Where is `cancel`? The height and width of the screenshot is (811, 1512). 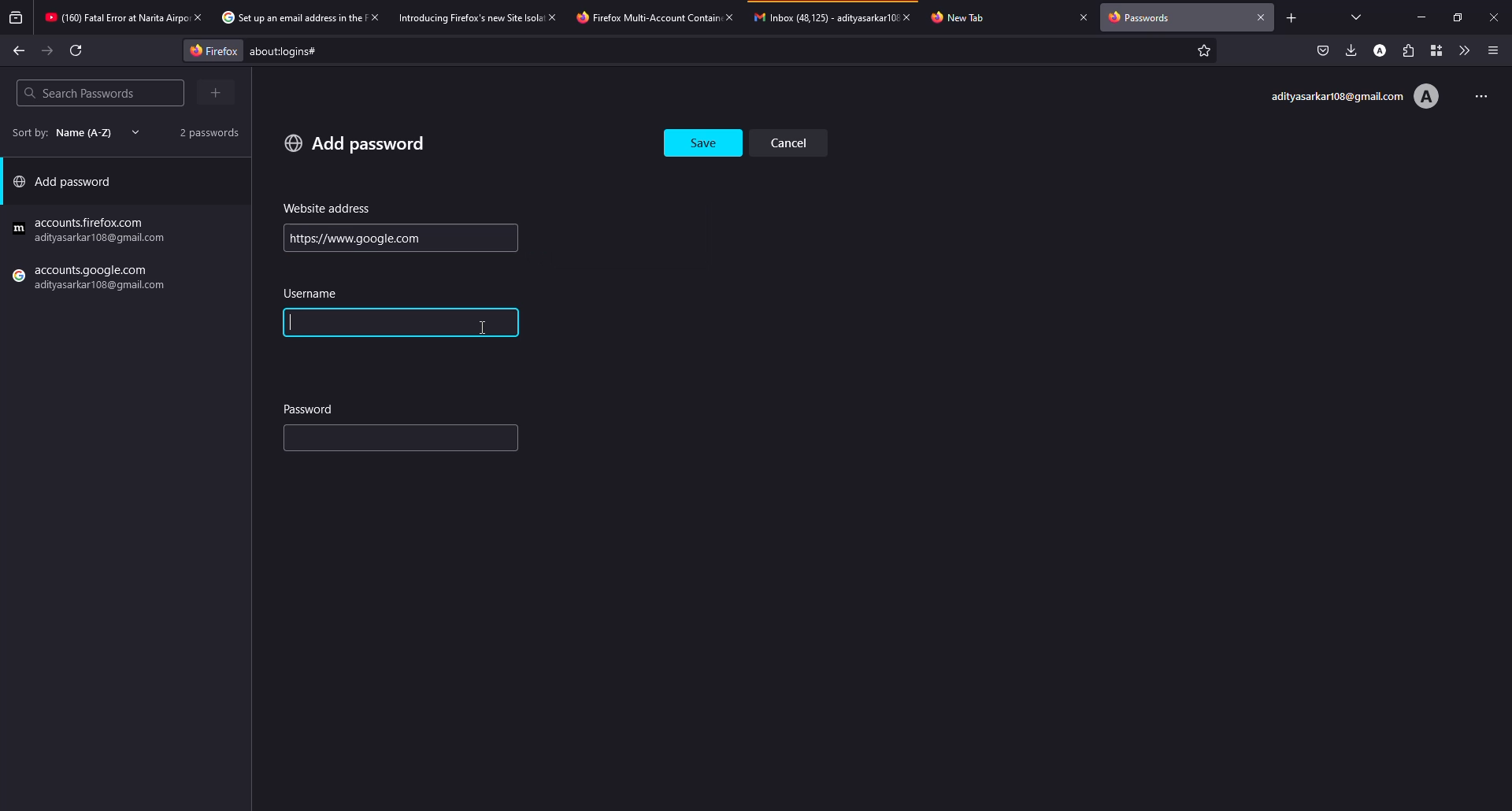
cancel is located at coordinates (795, 142).